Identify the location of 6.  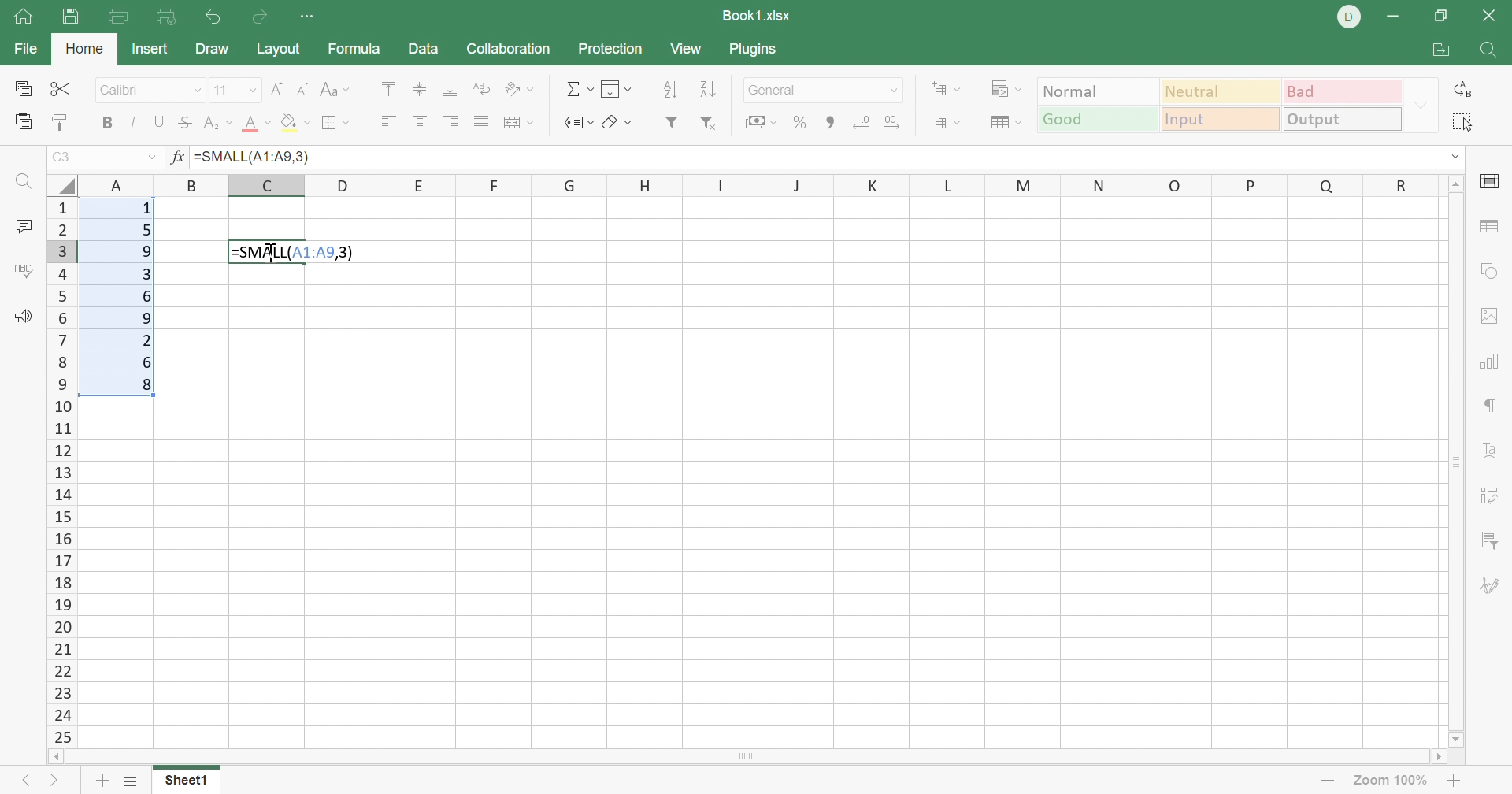
(145, 296).